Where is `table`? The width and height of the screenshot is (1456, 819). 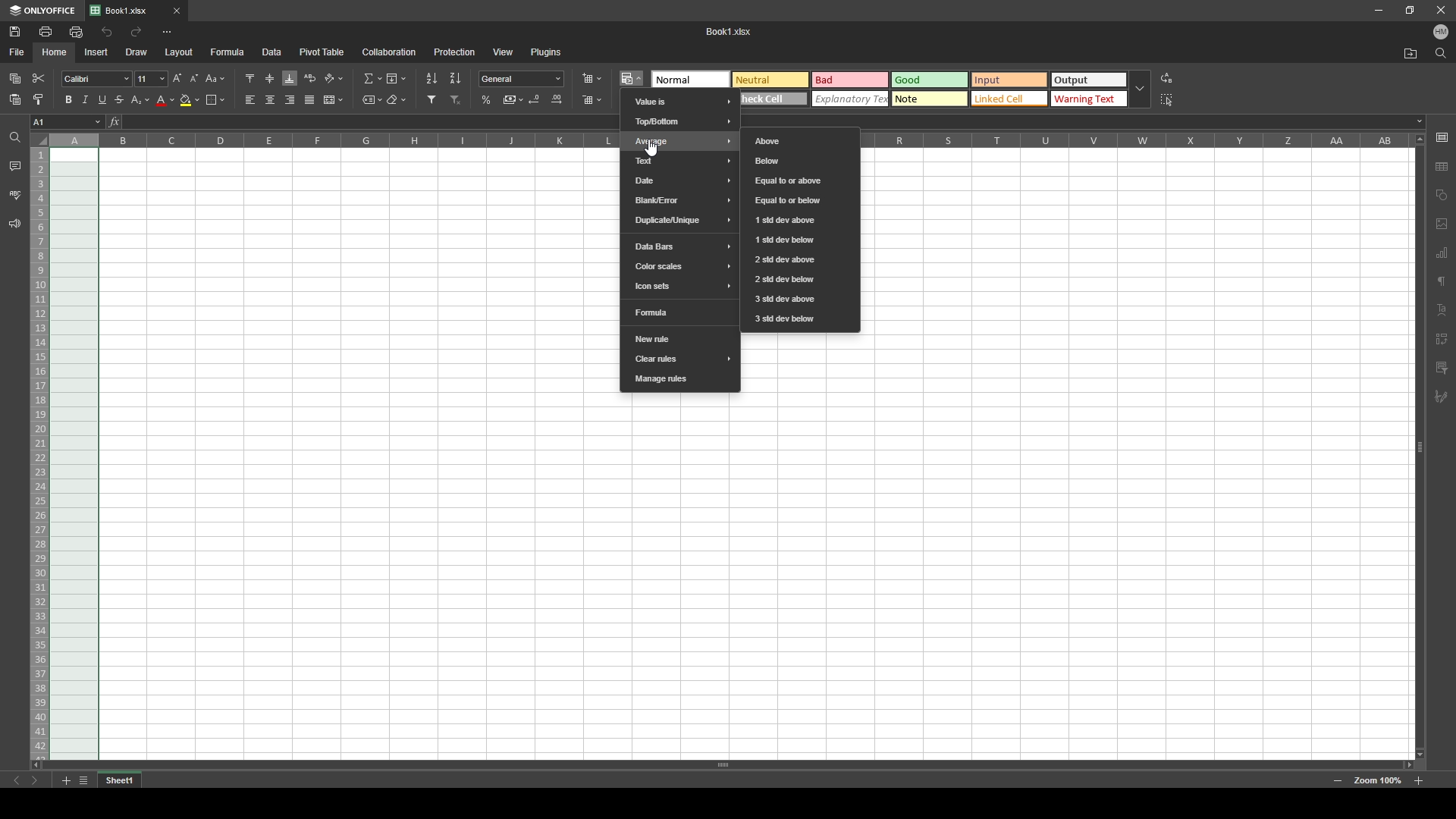
table is located at coordinates (1442, 165).